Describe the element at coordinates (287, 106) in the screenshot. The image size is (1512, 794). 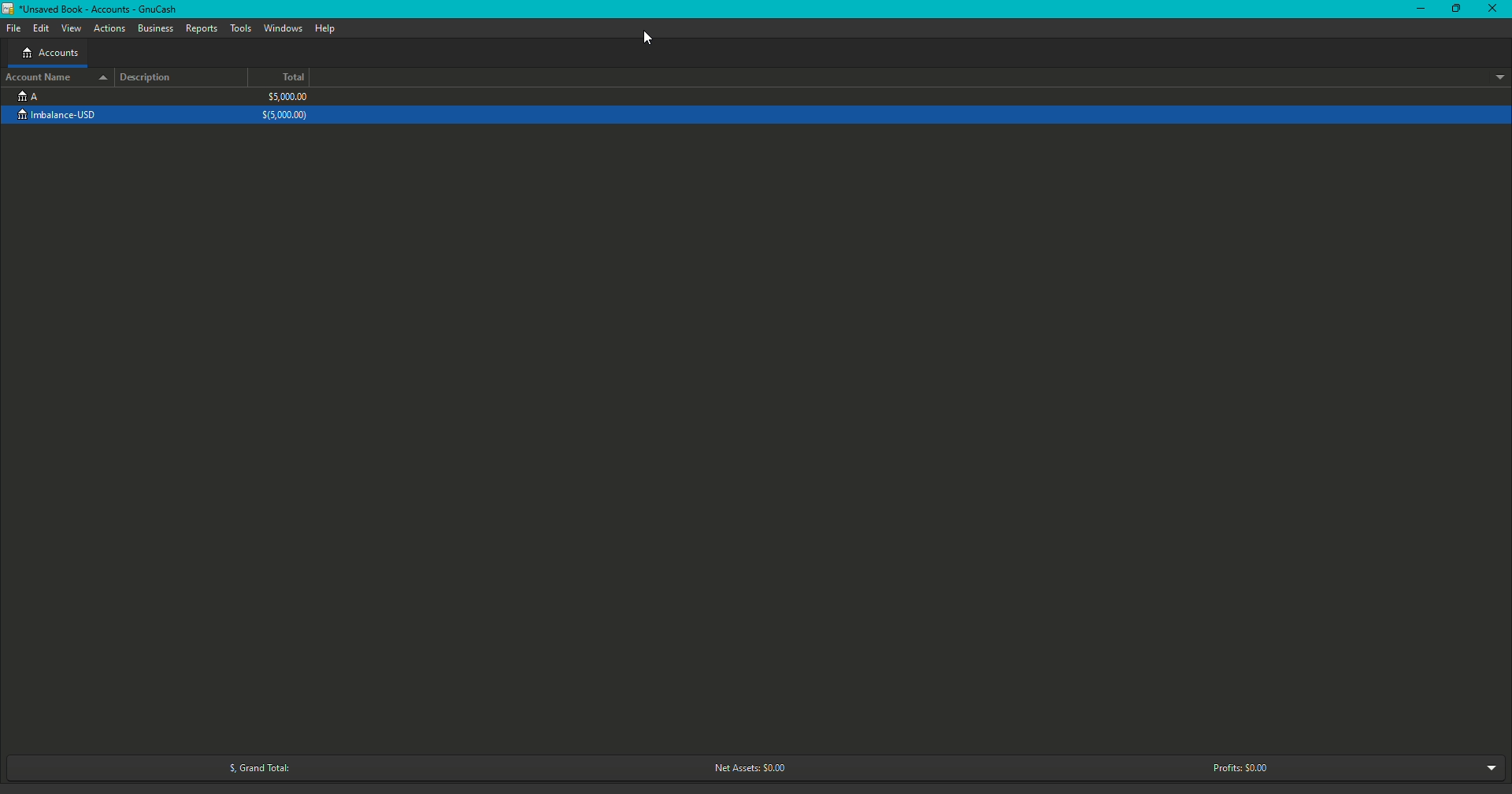
I see `$5,000` at that location.